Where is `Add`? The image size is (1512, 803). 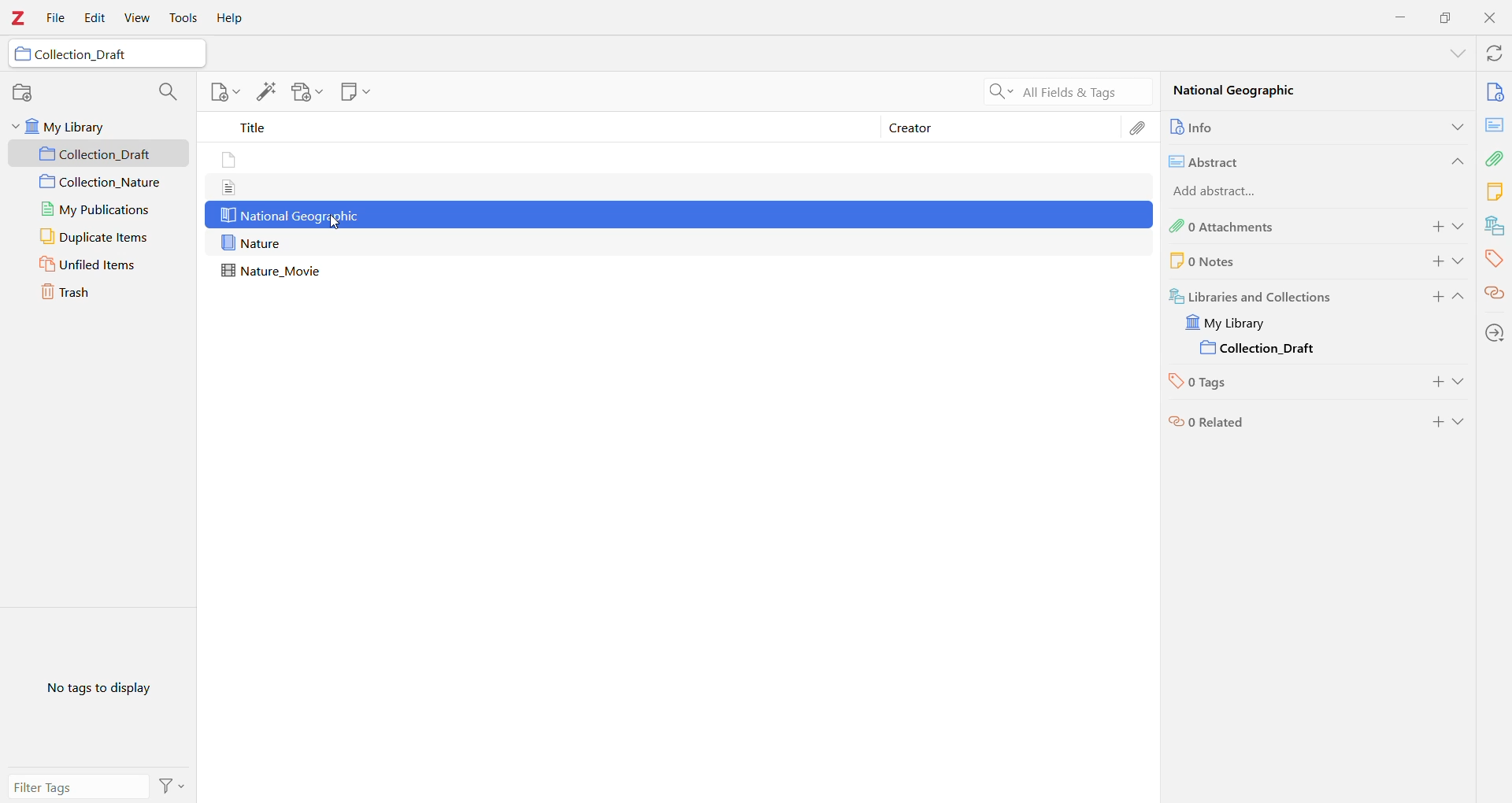
Add is located at coordinates (1433, 299).